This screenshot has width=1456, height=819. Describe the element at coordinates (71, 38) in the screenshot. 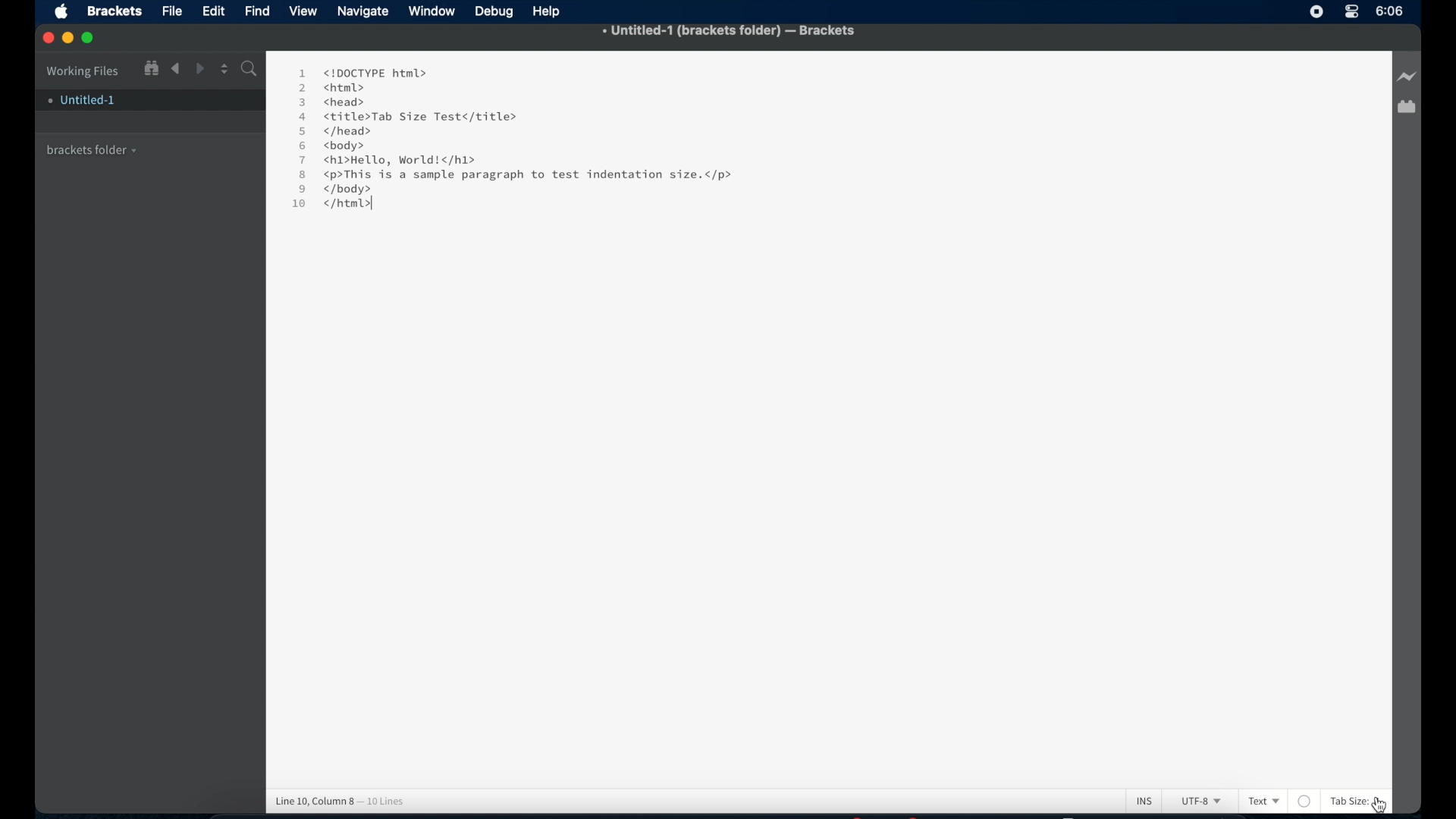

I see `Minimize` at that location.